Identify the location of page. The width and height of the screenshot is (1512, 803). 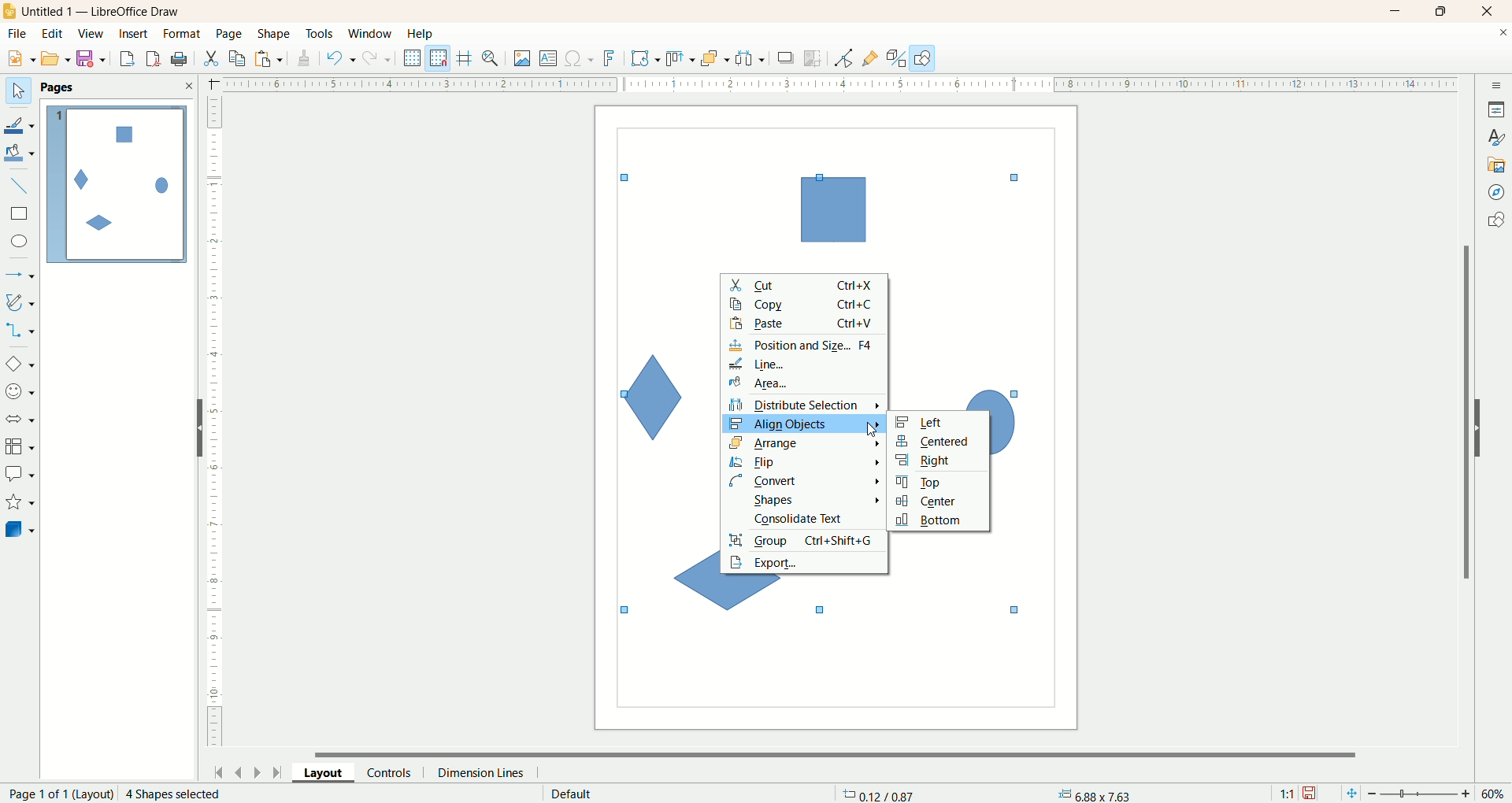
(231, 33).